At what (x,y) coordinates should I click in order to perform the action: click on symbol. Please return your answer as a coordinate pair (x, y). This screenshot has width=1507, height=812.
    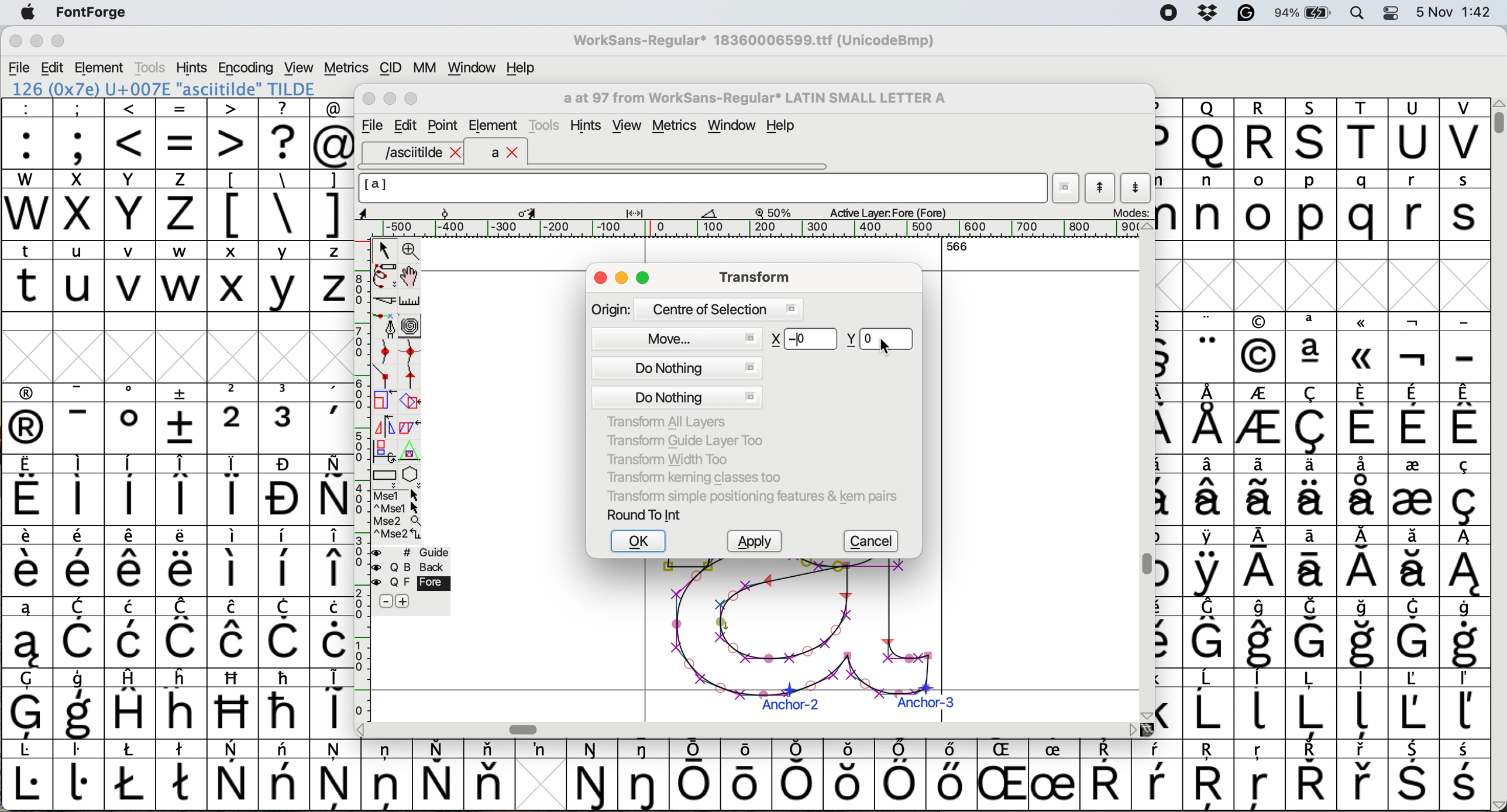
    Looking at the image, I should click on (1261, 702).